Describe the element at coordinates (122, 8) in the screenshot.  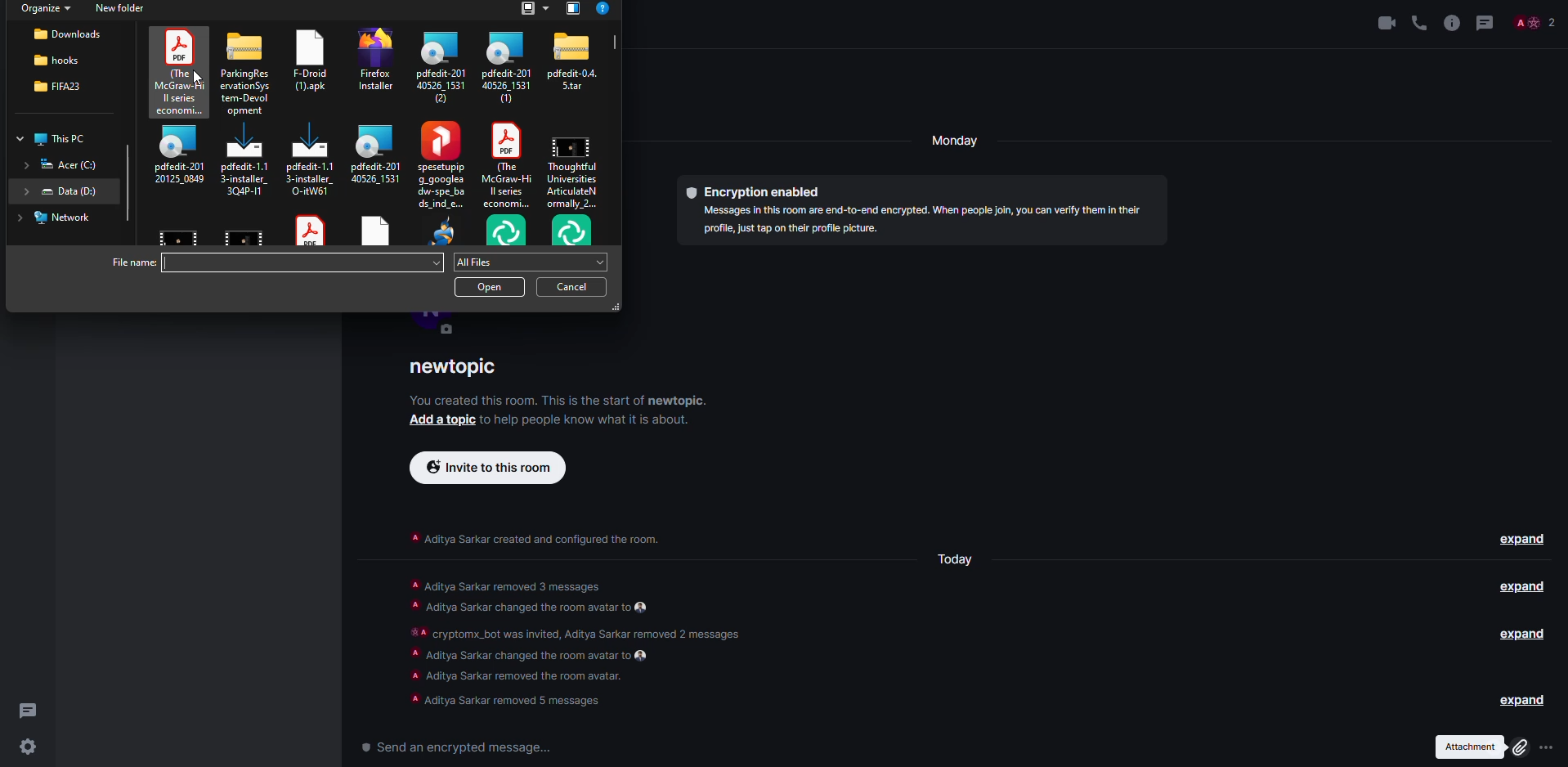
I see `new folder` at that location.